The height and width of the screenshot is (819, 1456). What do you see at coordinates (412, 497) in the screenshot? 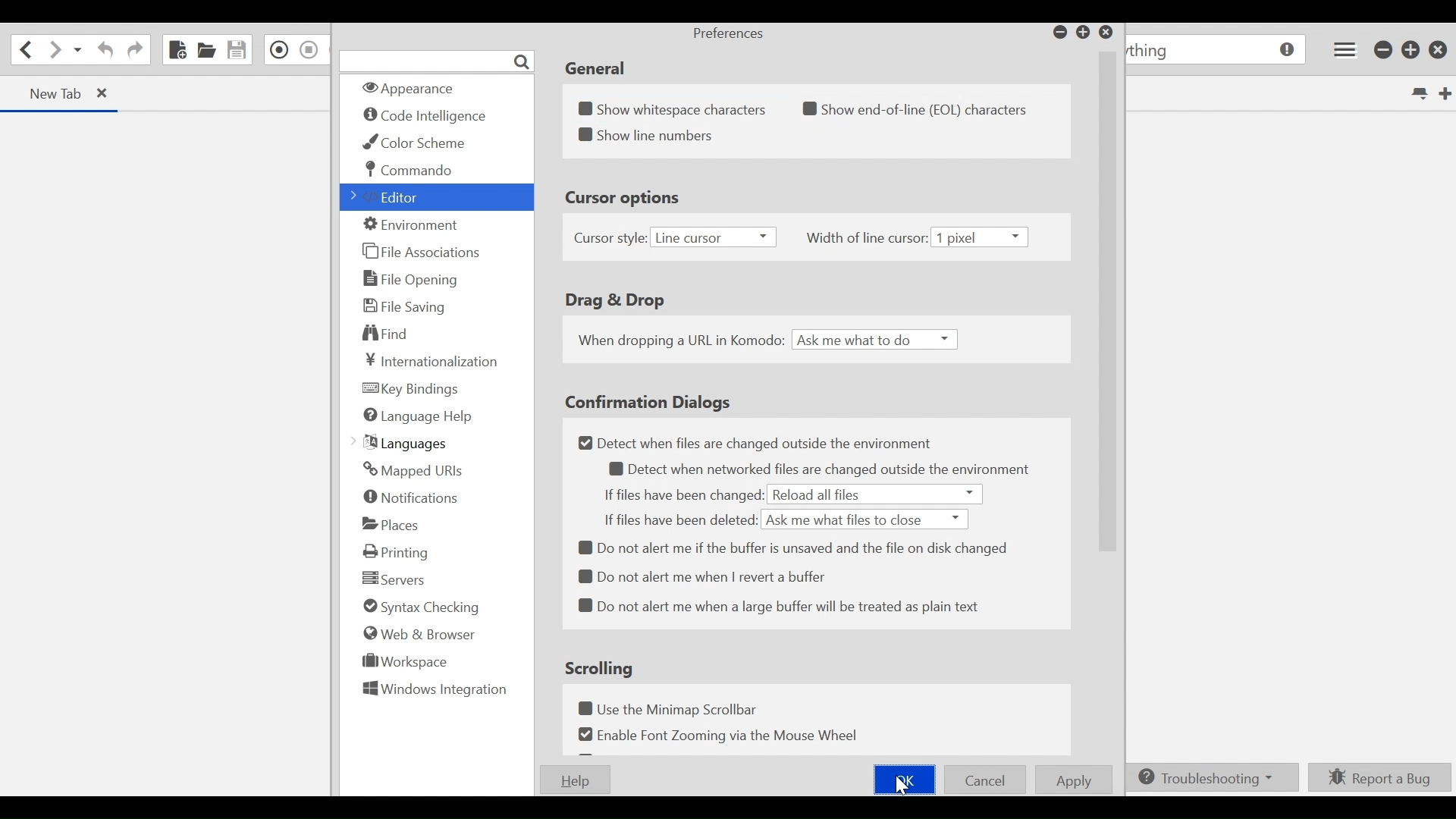
I see `Notifications` at bounding box center [412, 497].